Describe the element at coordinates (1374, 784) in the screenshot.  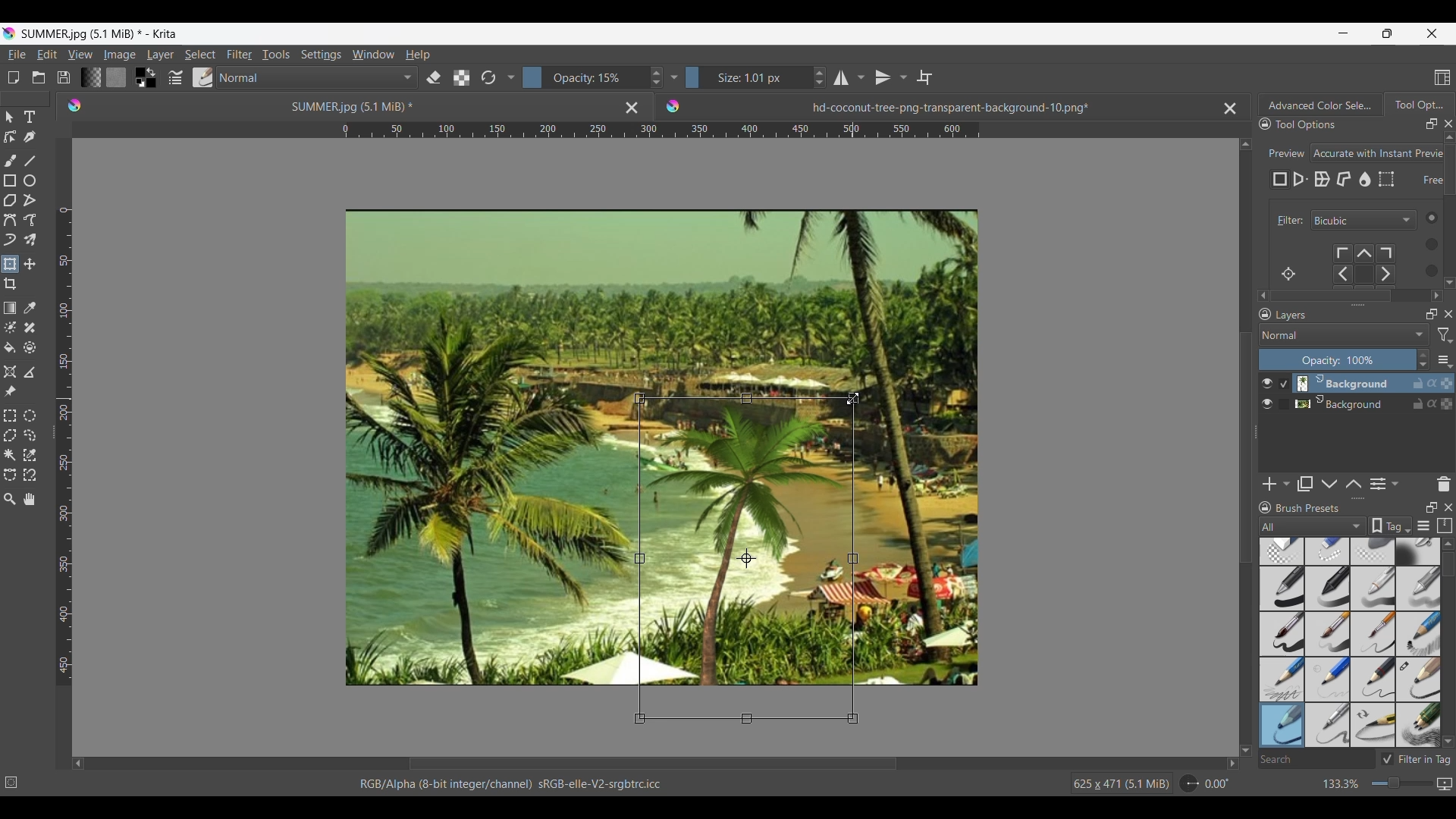
I see `Increase/Decrease canvas size` at that location.